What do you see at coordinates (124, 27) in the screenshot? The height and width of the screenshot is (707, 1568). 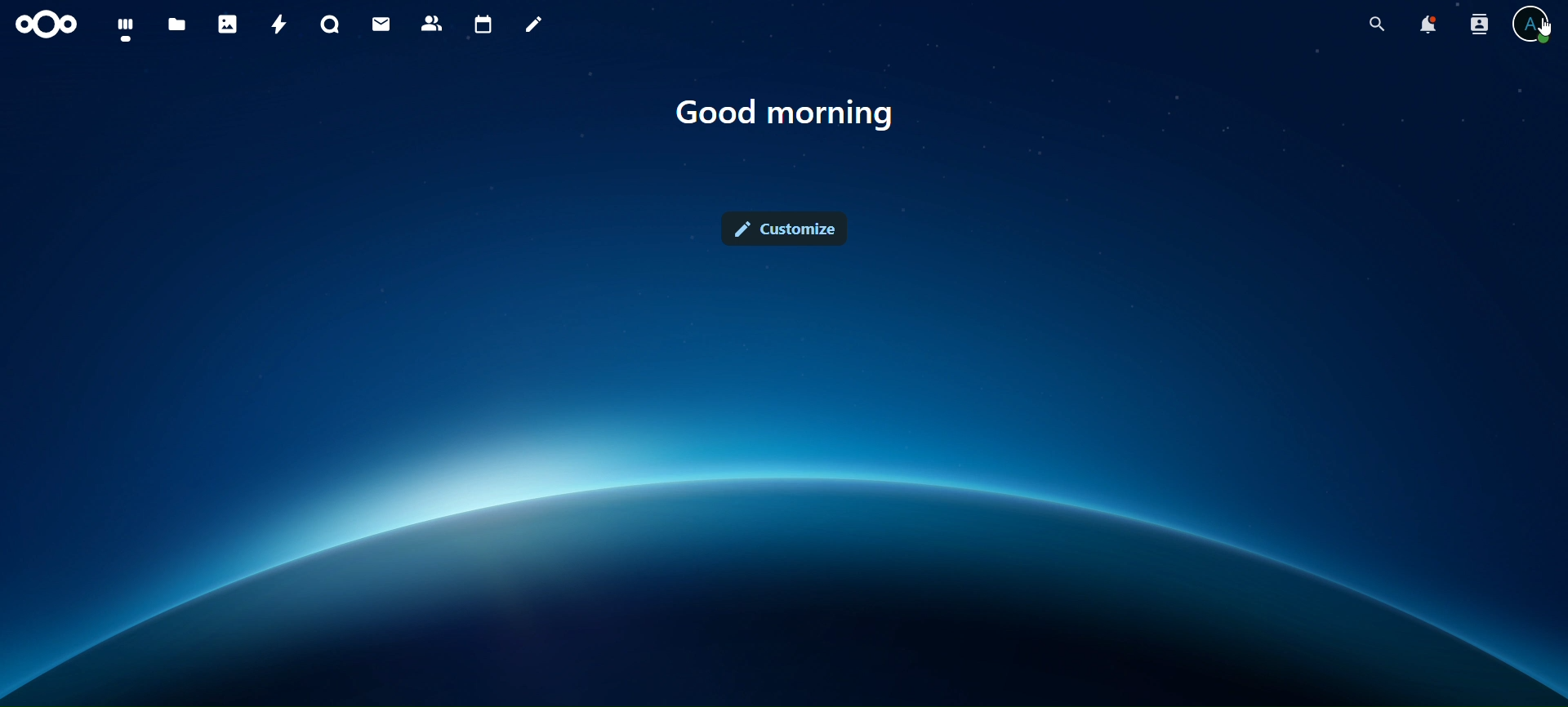 I see `dashboard` at bounding box center [124, 27].